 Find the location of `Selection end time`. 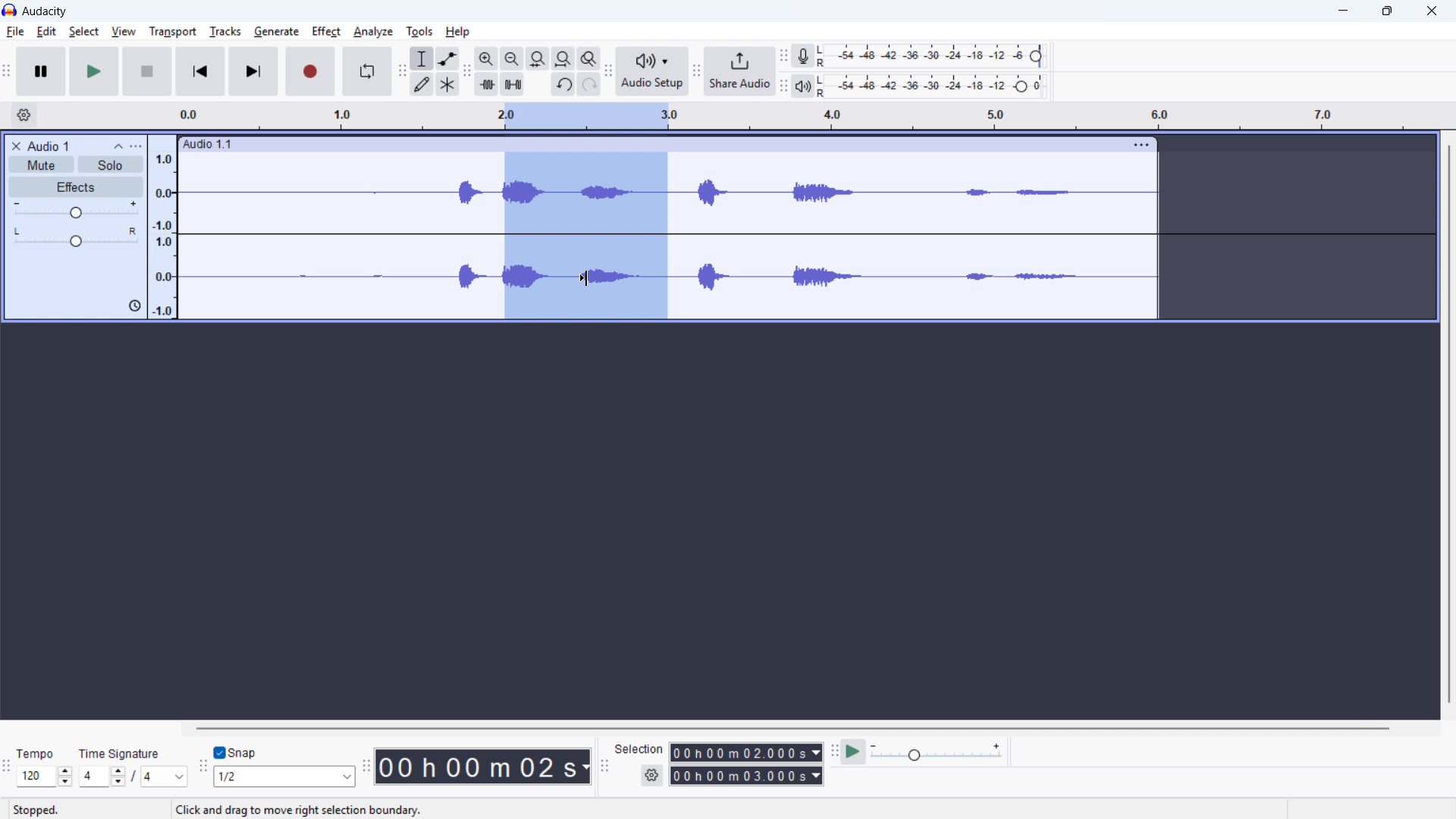

Selection end time is located at coordinates (748, 776).